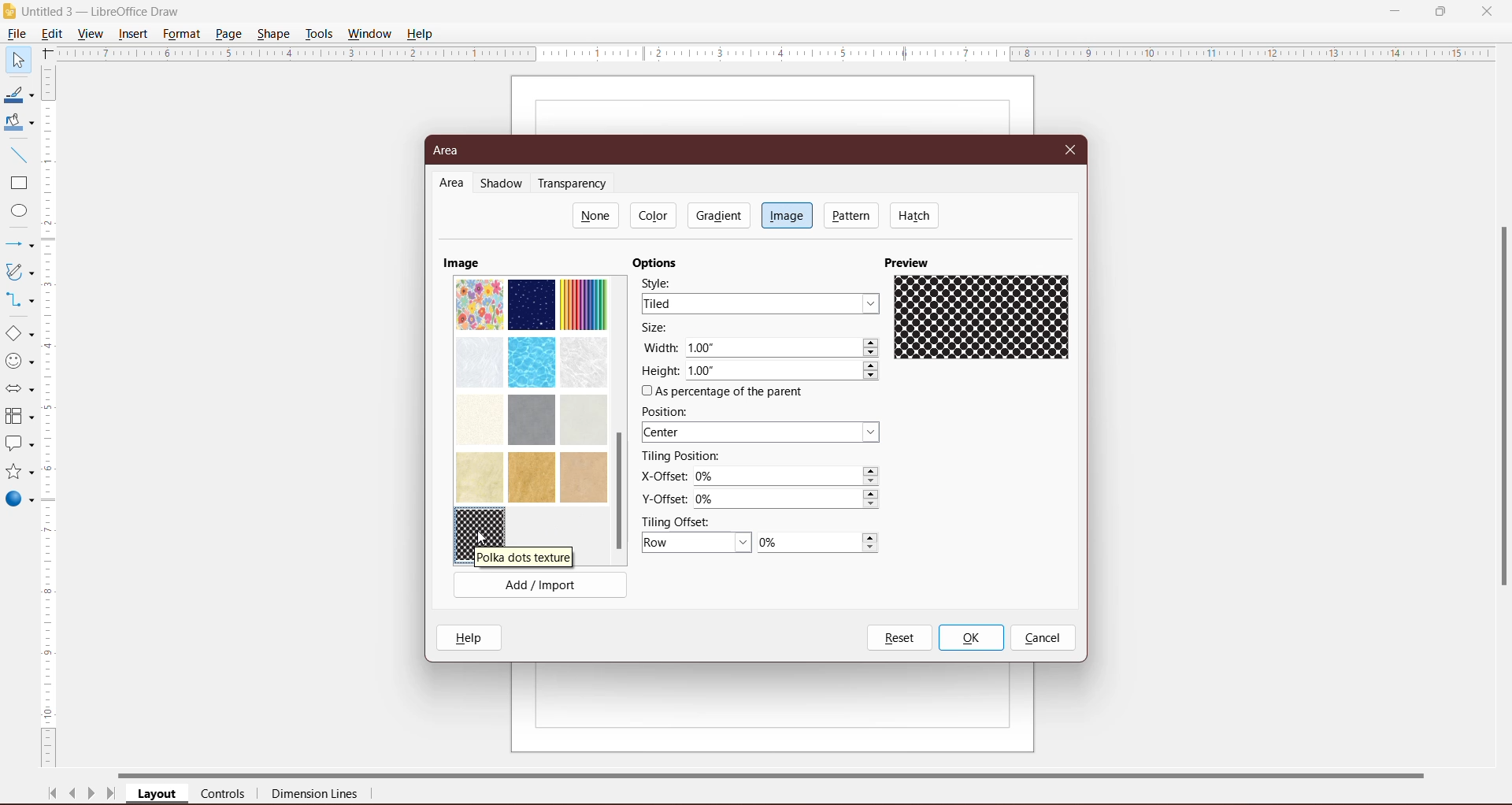 Image resolution: width=1512 pixels, height=805 pixels. Describe the element at coordinates (523, 557) in the screenshot. I see `Polka dot texture` at that location.